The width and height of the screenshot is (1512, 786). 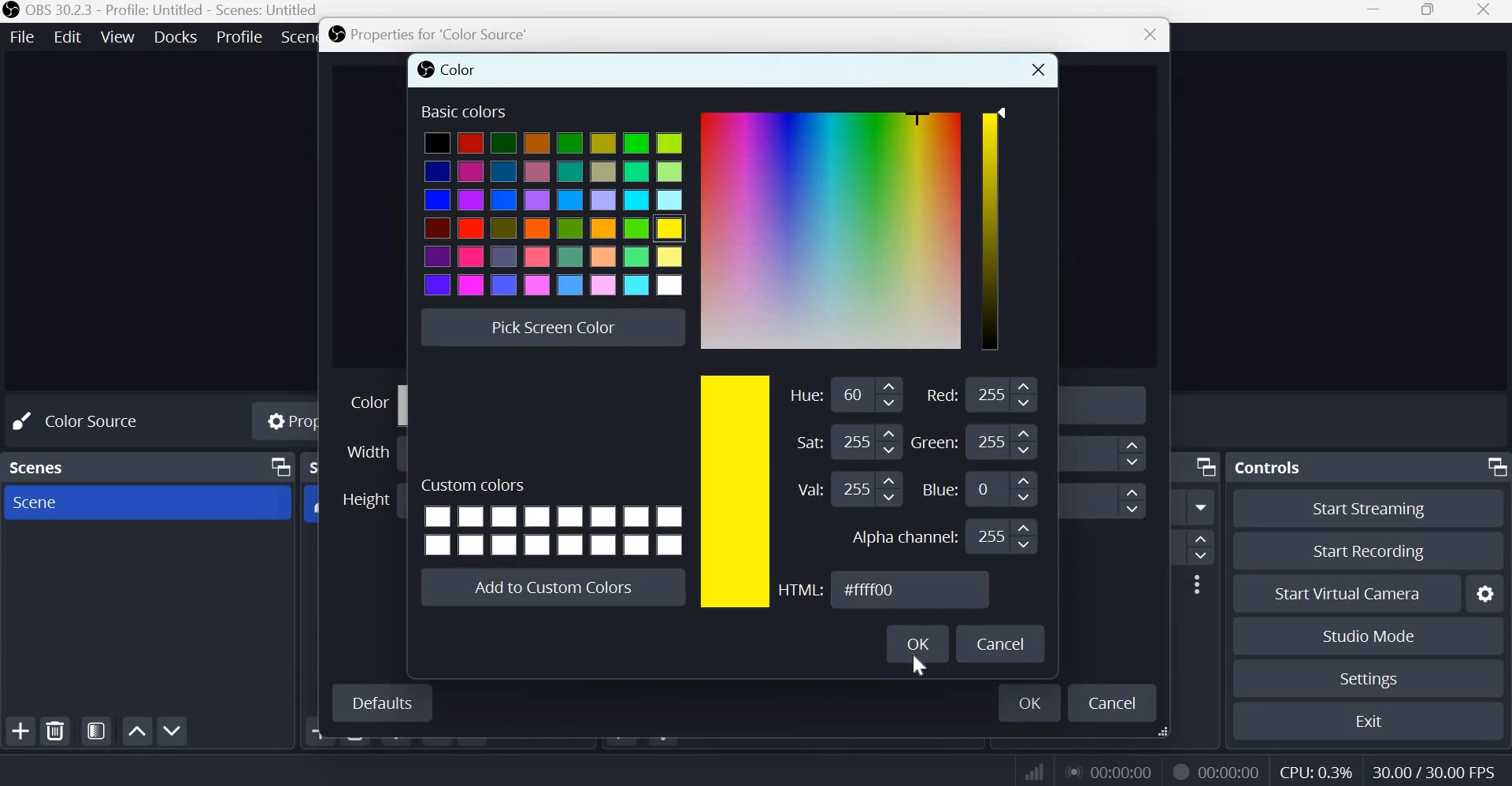 What do you see at coordinates (467, 111) in the screenshot?
I see `Basic colors` at bounding box center [467, 111].